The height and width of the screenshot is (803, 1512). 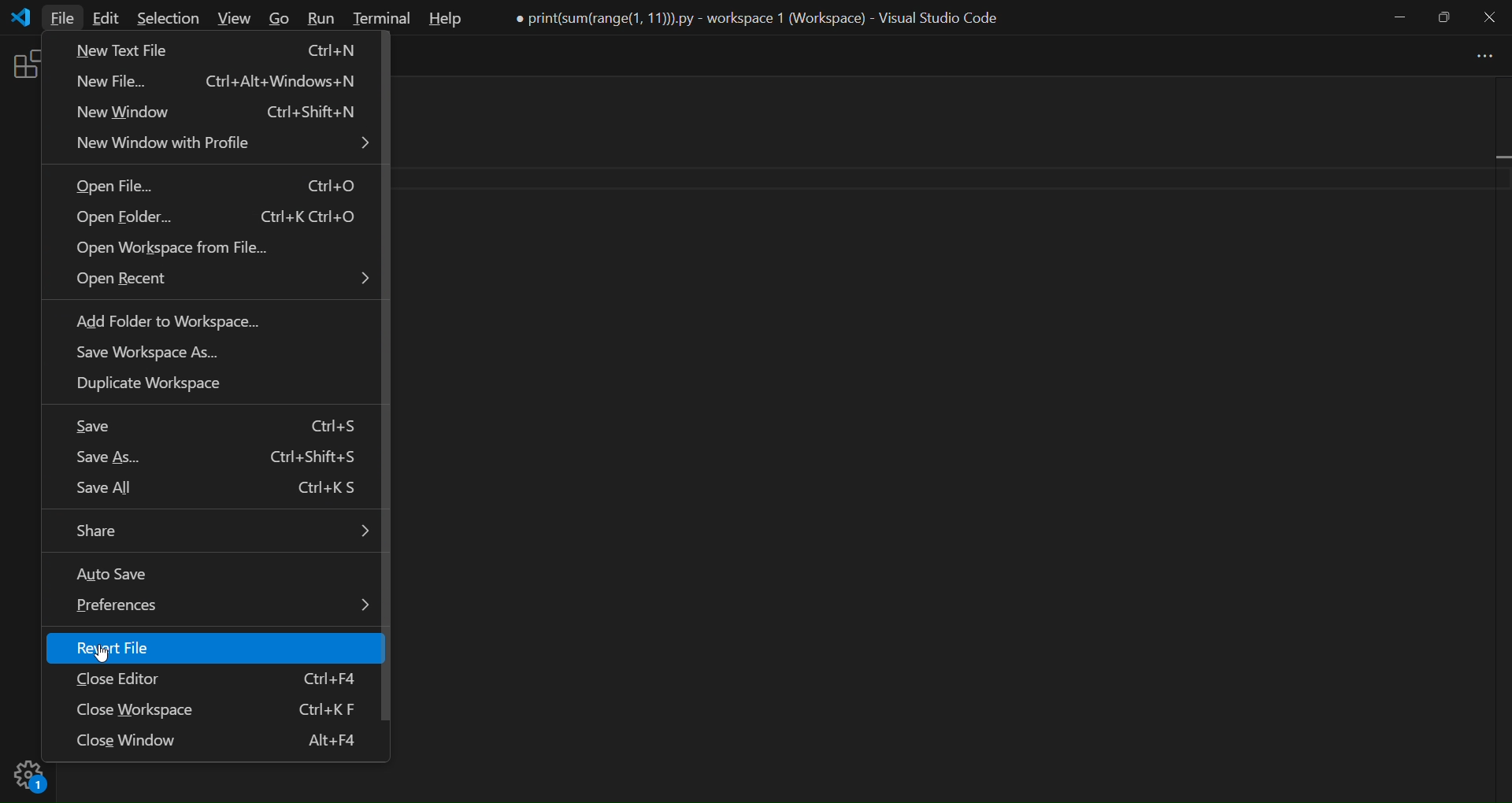 What do you see at coordinates (169, 18) in the screenshot?
I see `Selection` at bounding box center [169, 18].